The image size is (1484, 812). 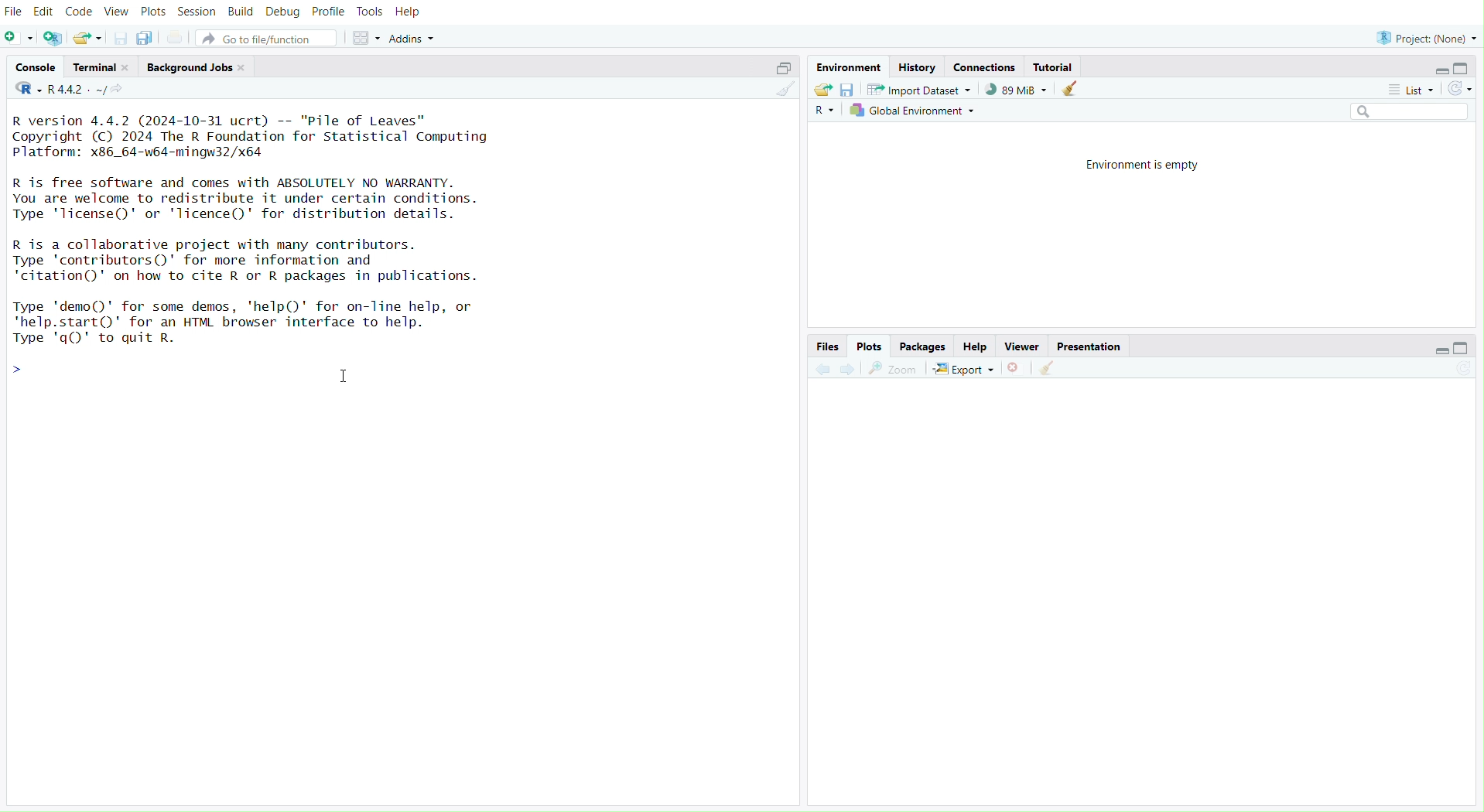 What do you see at coordinates (850, 64) in the screenshot?
I see `Environment` at bounding box center [850, 64].